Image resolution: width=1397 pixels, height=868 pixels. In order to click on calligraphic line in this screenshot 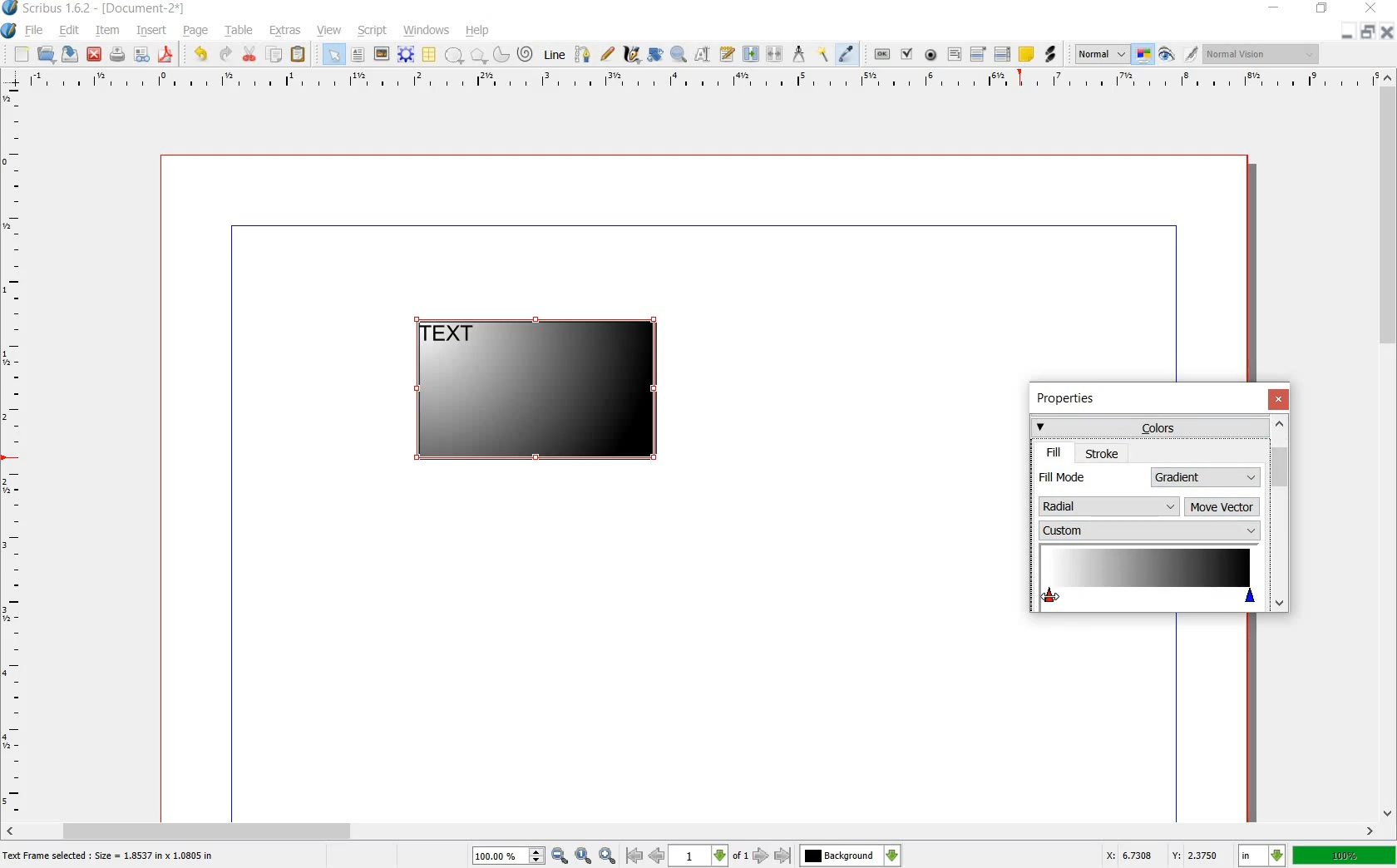, I will do `click(631, 53)`.